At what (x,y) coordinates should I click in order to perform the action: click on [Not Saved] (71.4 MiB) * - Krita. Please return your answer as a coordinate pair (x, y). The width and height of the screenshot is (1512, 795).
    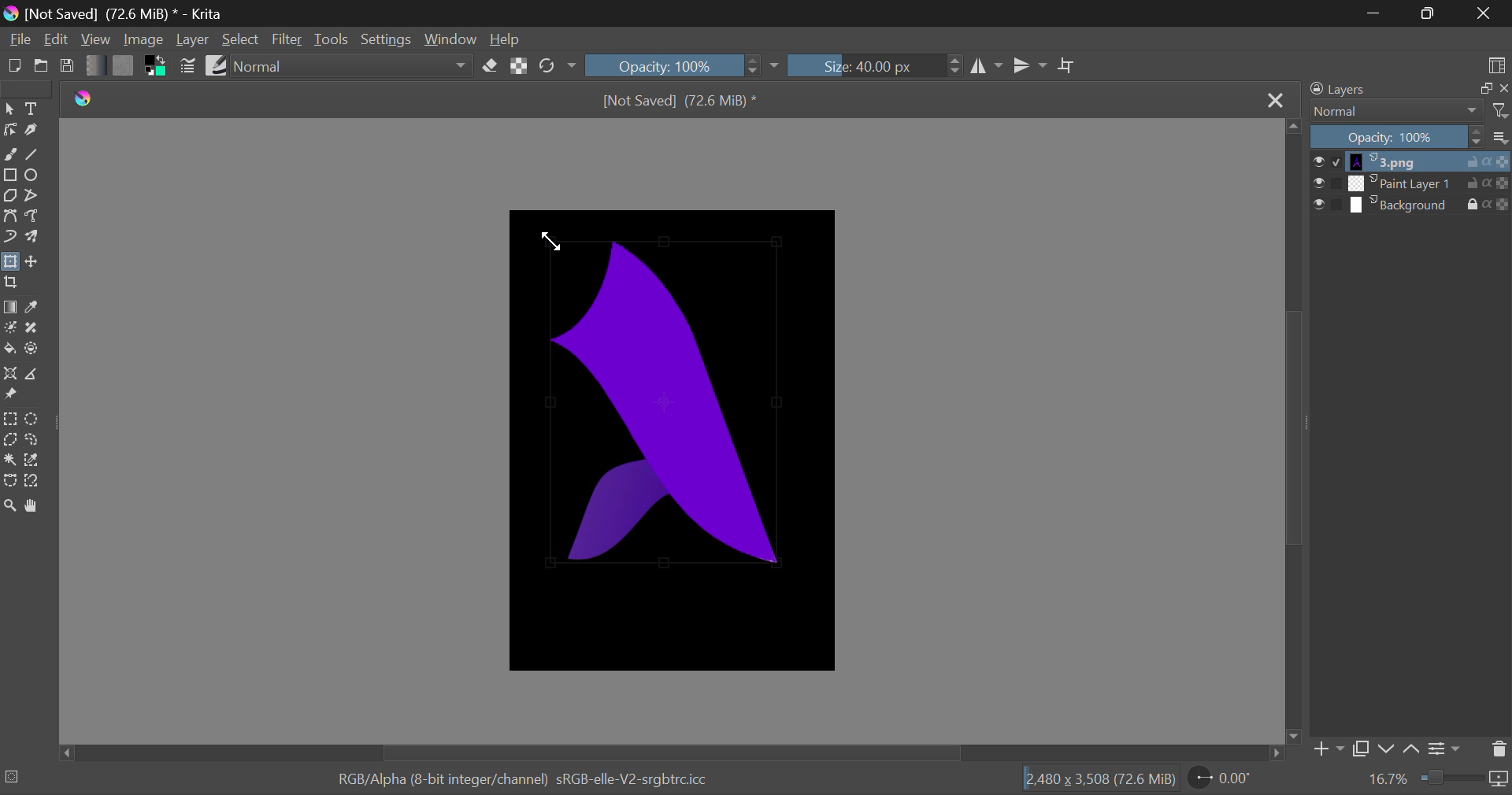
    Looking at the image, I should click on (126, 13).